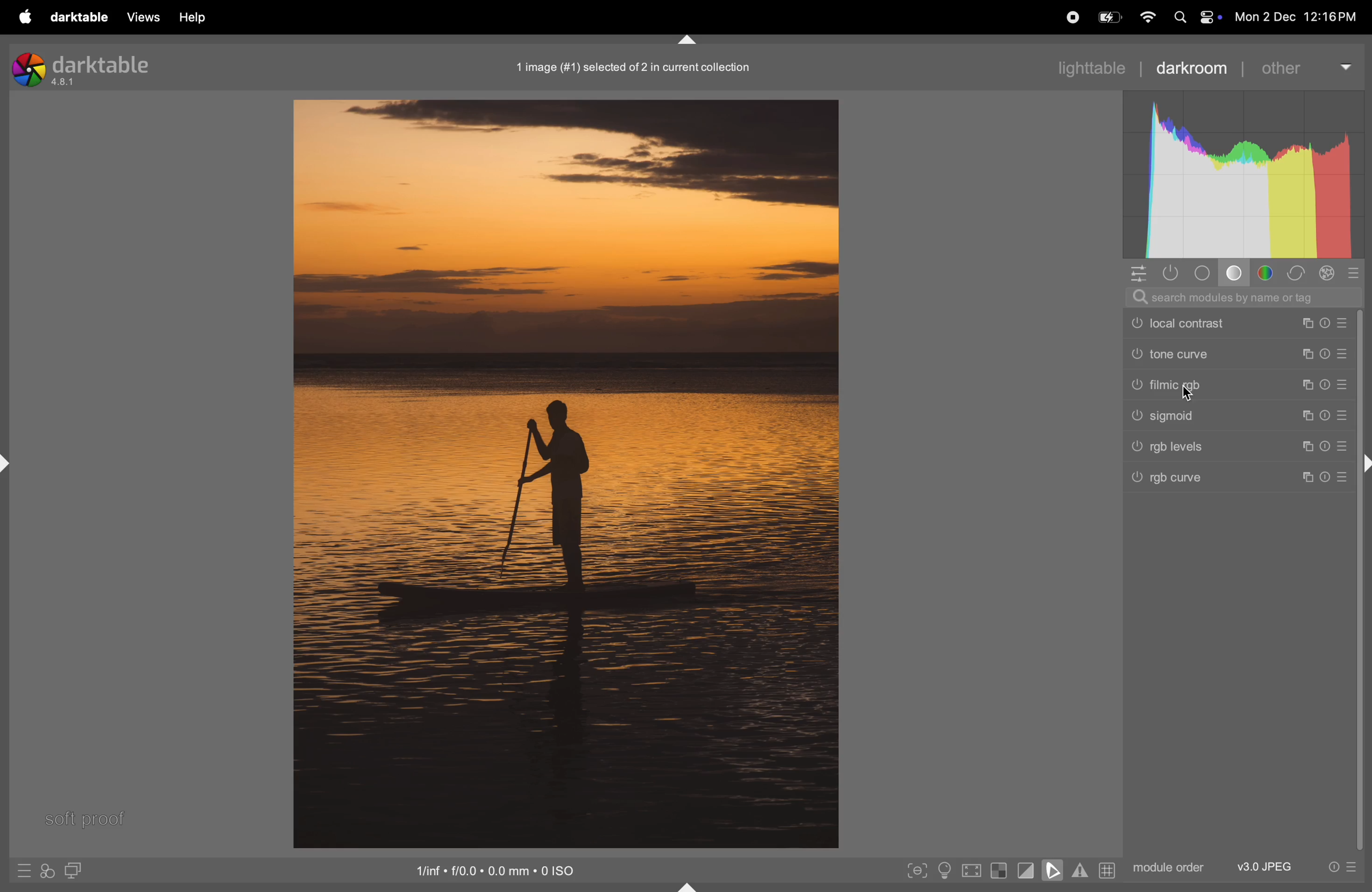 Image resolution: width=1372 pixels, height=892 pixels. I want to click on tone curve, so click(1238, 355).